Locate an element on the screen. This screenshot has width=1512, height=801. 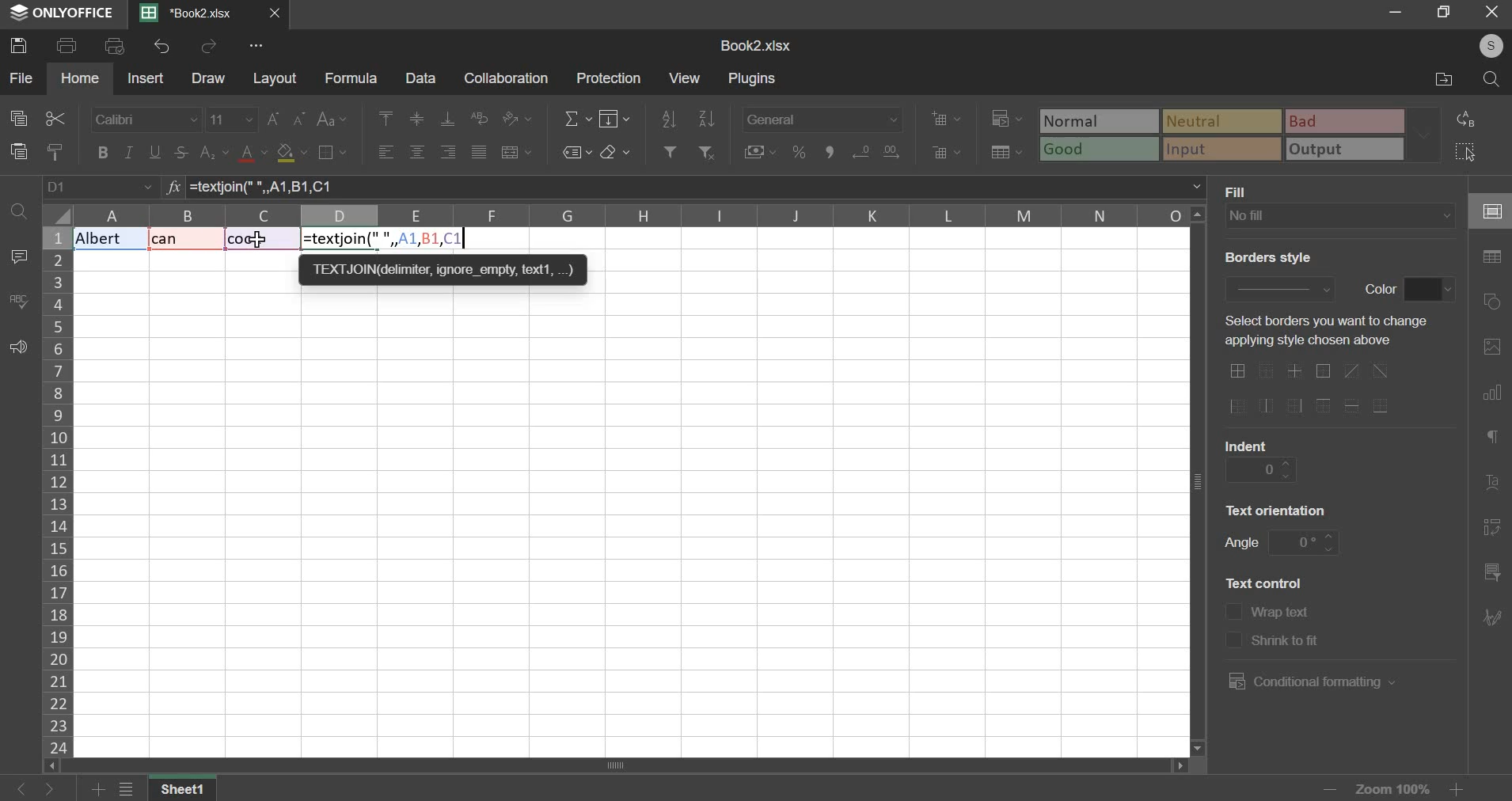
percentage is located at coordinates (798, 152).